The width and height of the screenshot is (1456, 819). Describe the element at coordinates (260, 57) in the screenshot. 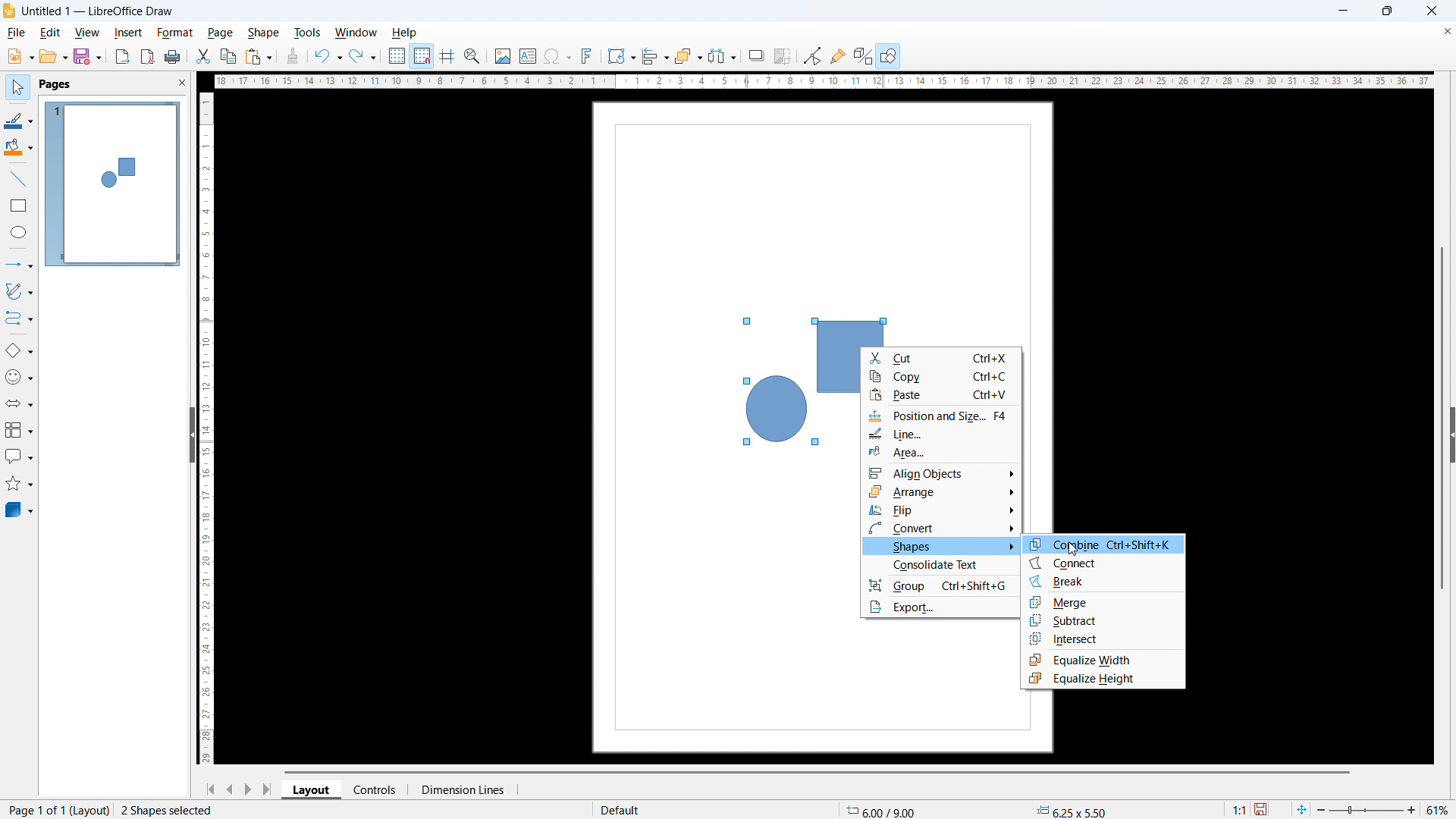

I see `paste` at that location.